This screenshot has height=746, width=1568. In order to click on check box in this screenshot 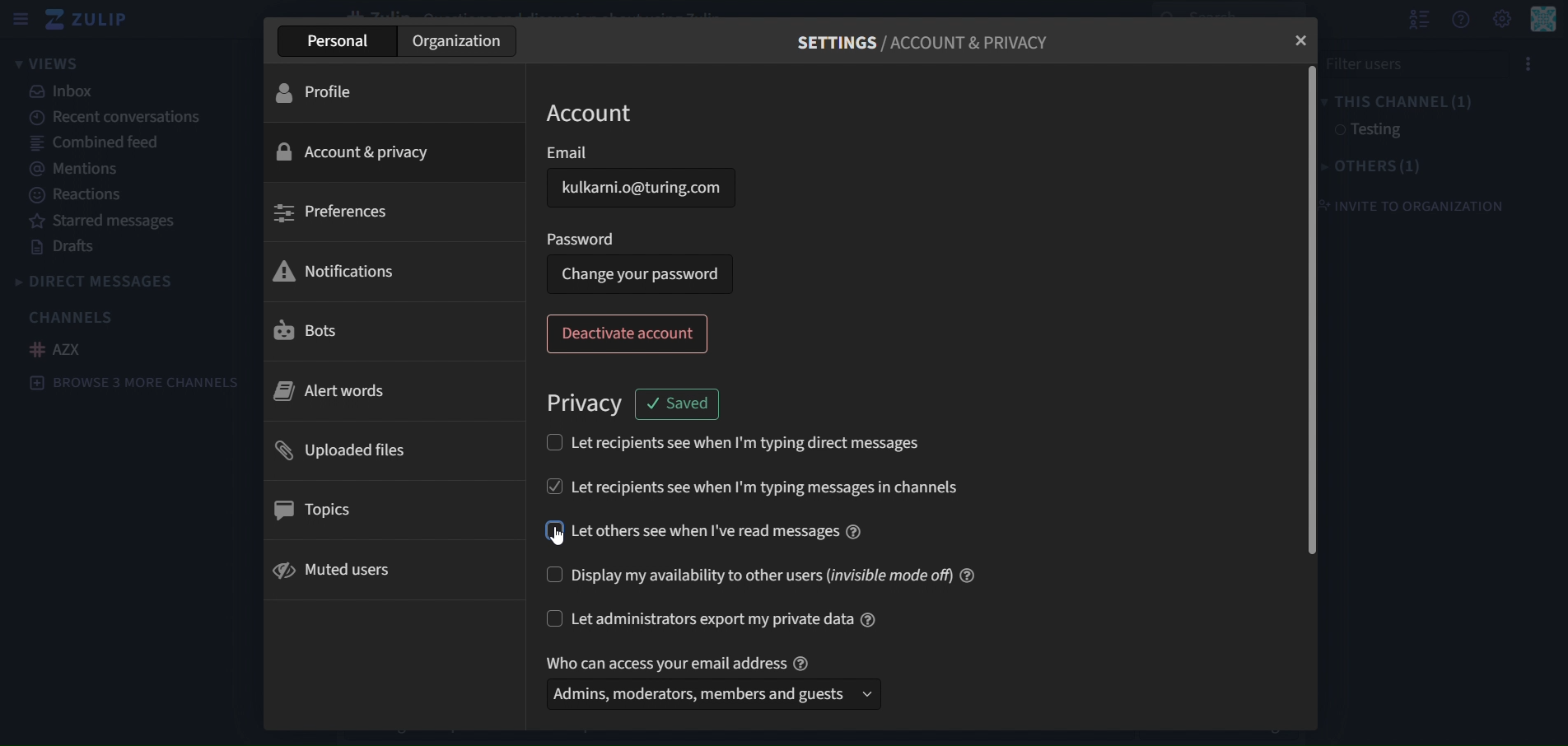, I will do `click(555, 618)`.